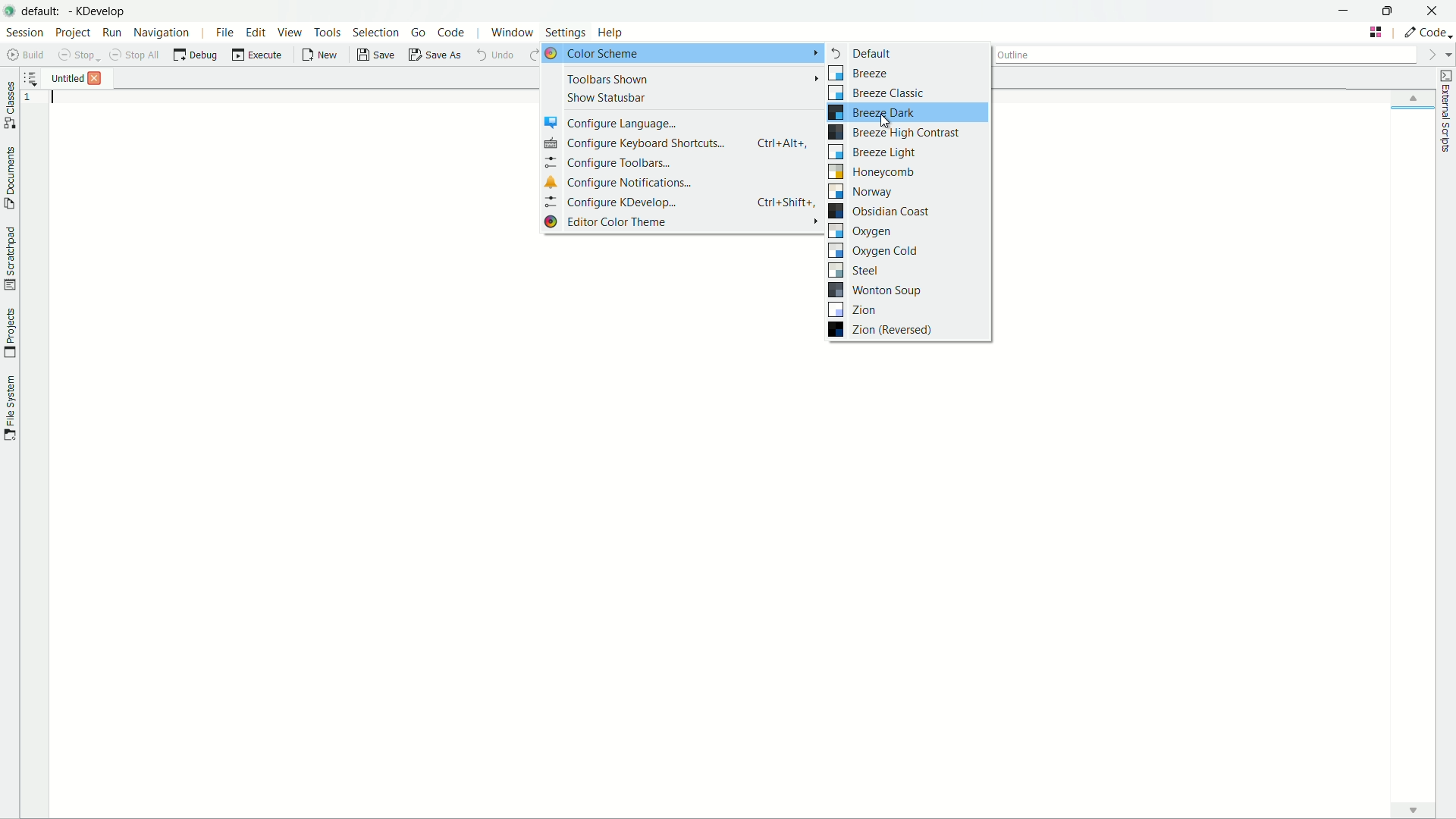 This screenshot has height=819, width=1456. Describe the element at coordinates (111, 32) in the screenshot. I see `run` at that location.